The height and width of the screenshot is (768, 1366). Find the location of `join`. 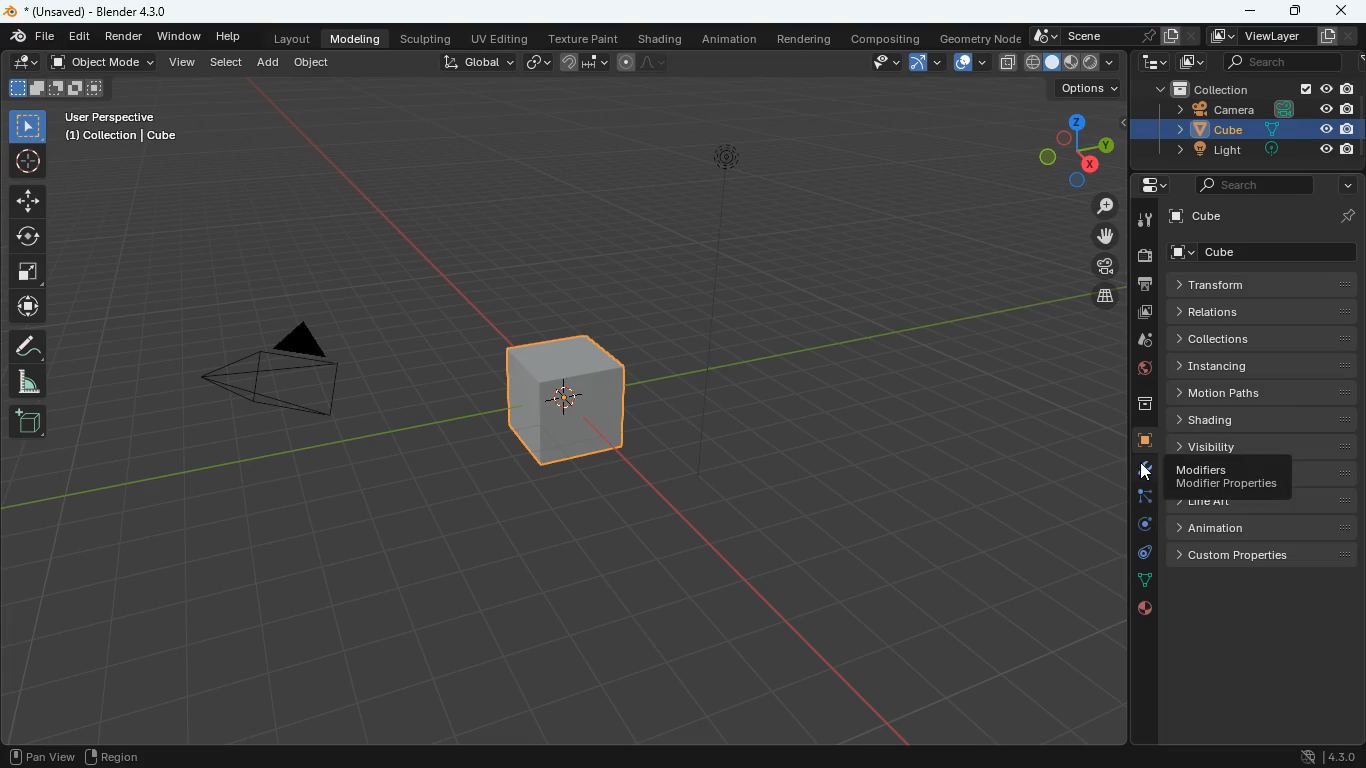

join is located at coordinates (585, 62).